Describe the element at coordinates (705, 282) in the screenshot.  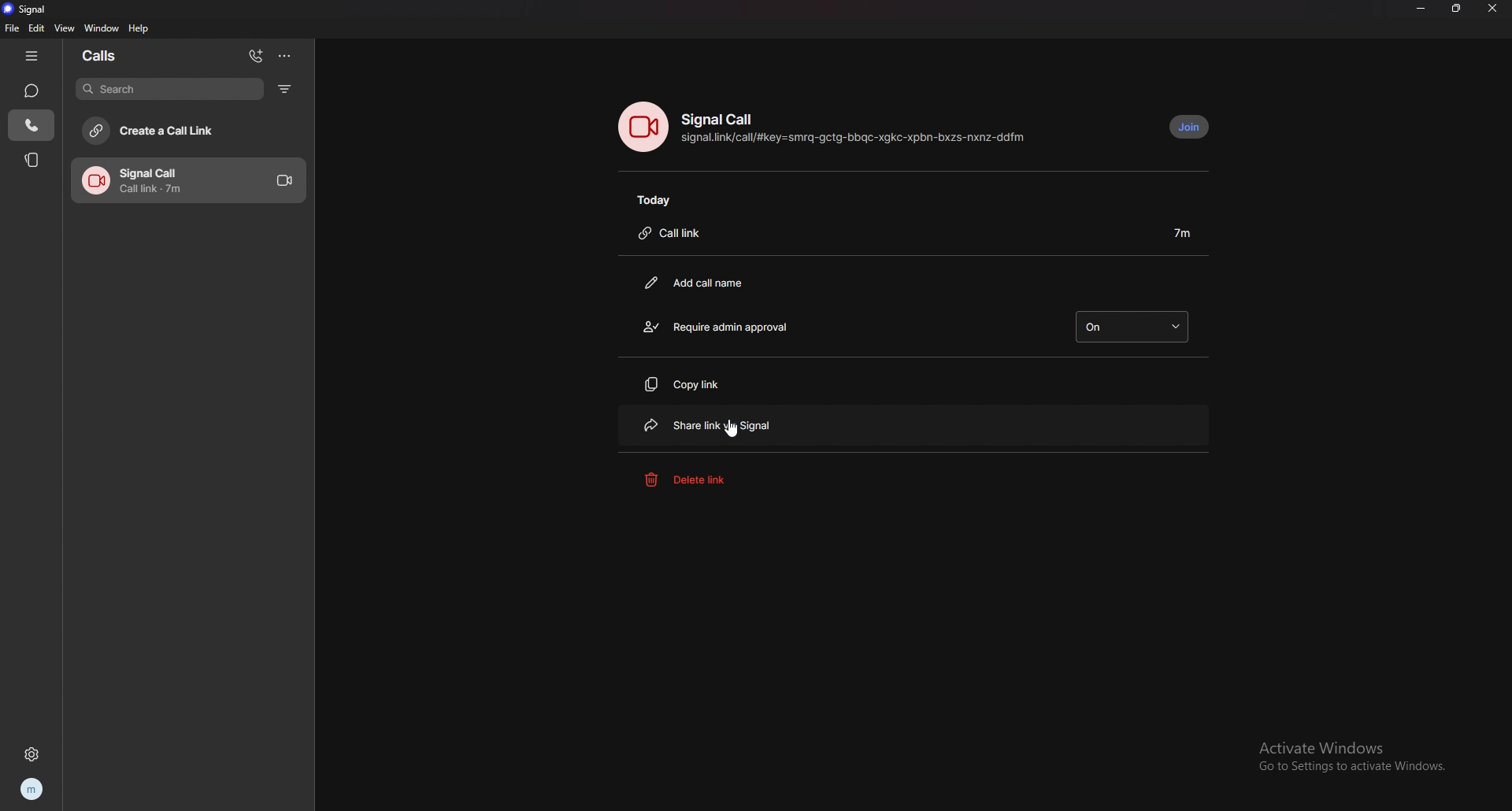
I see `add call name` at that location.